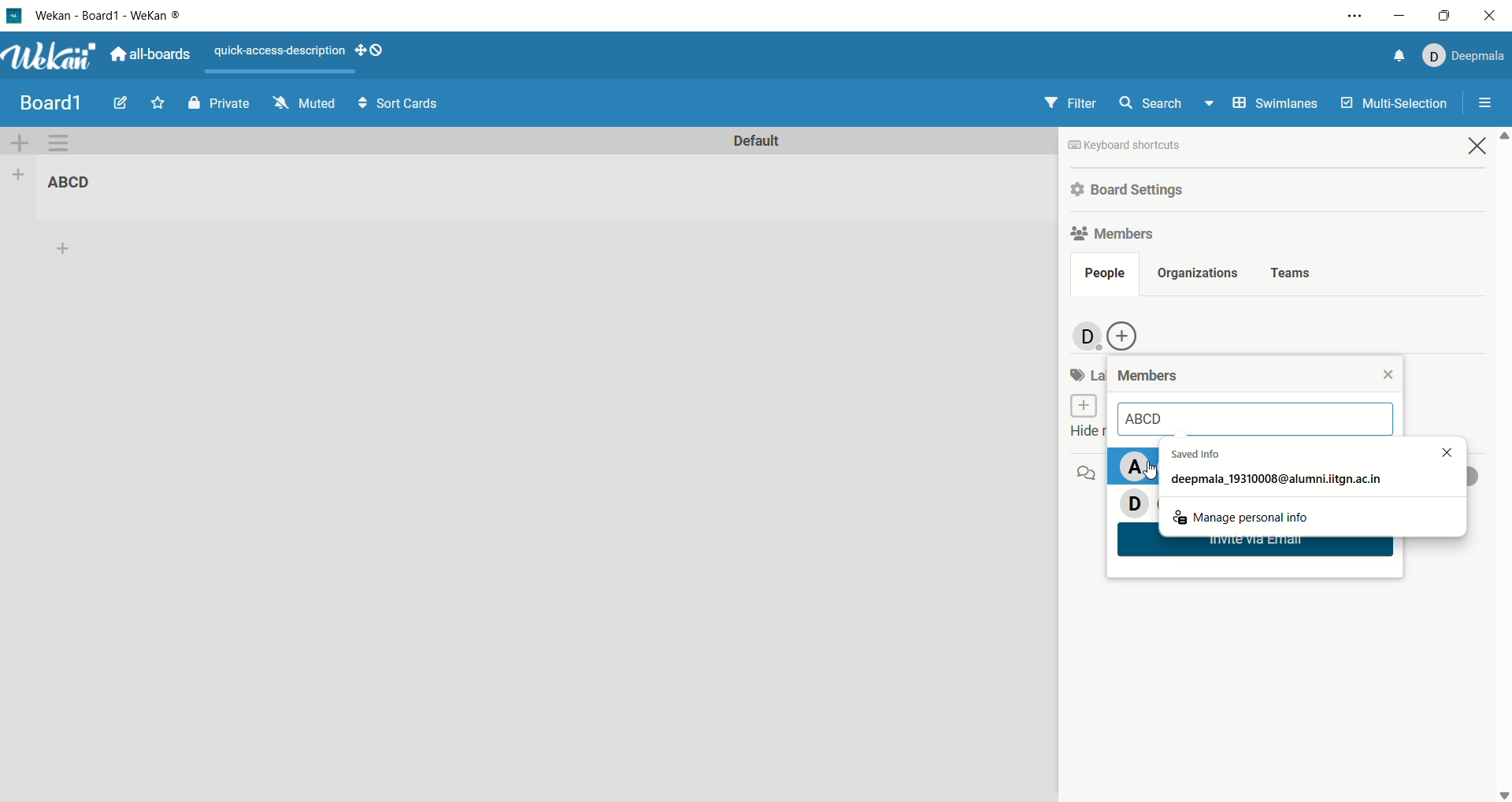  Describe the element at coordinates (150, 54) in the screenshot. I see `all boards` at that location.